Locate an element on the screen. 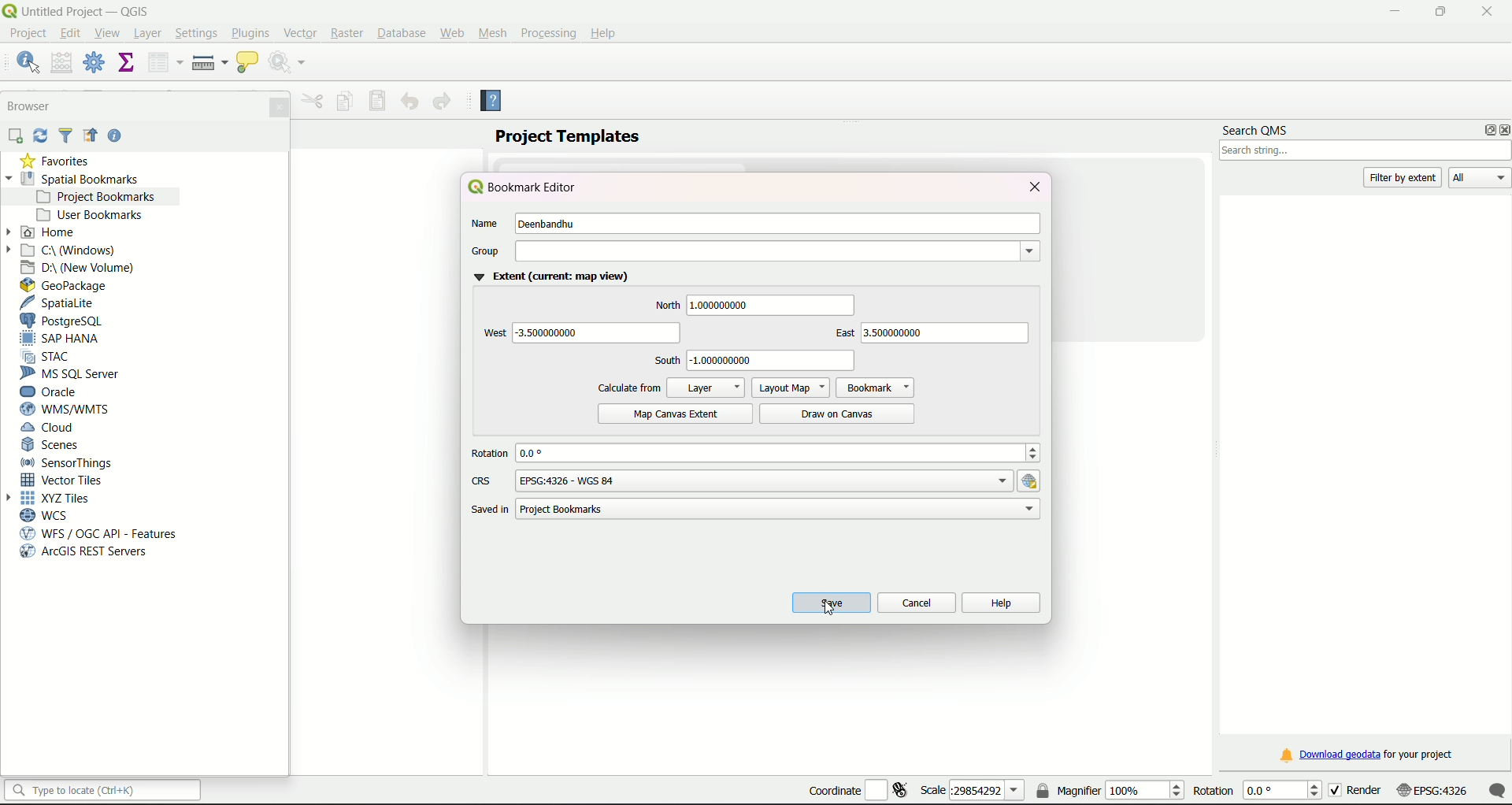  options is located at coordinates (1484, 130).